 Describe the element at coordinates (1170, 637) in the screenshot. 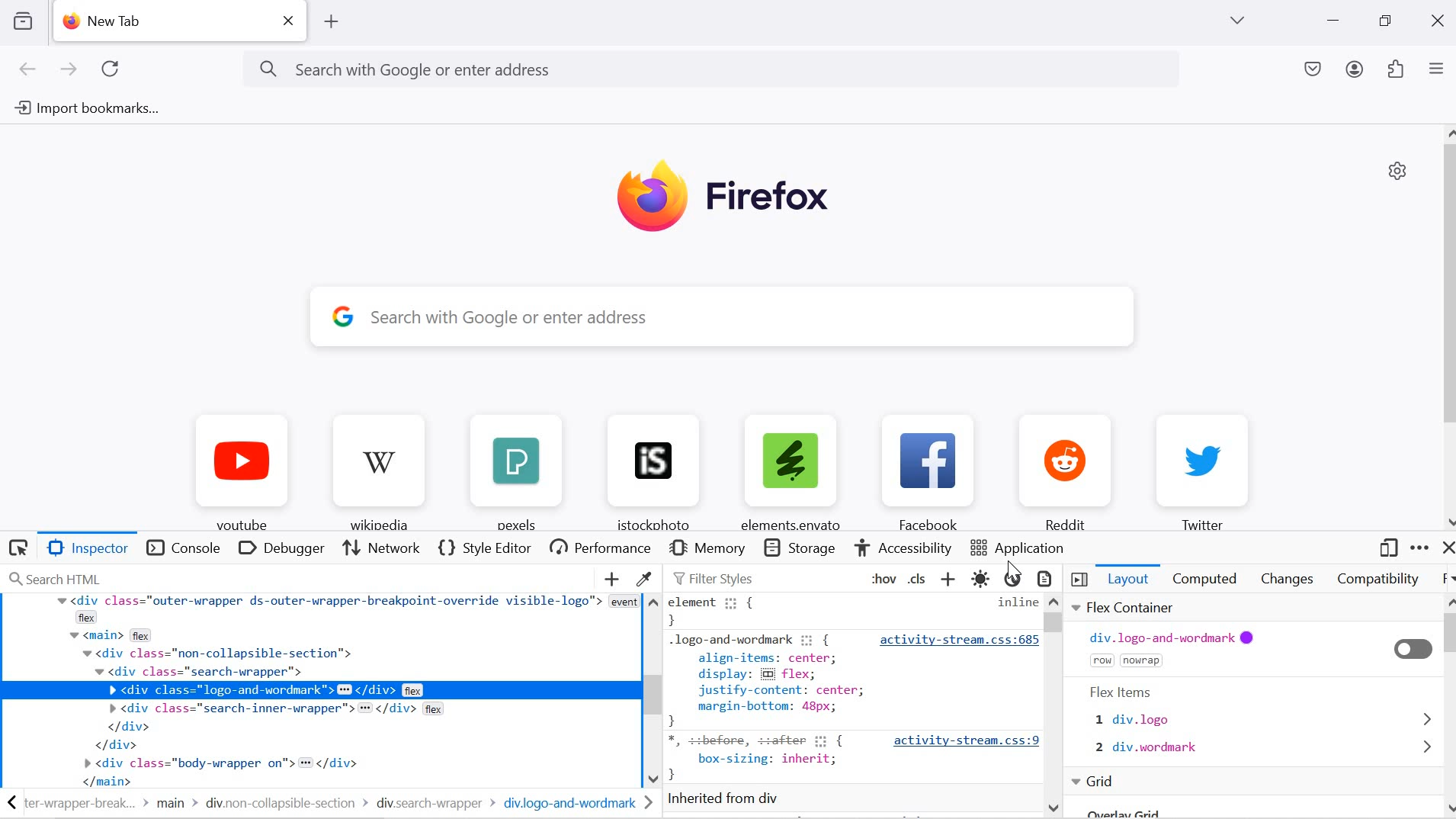

I see `div.logo-and-wordmark @` at that location.